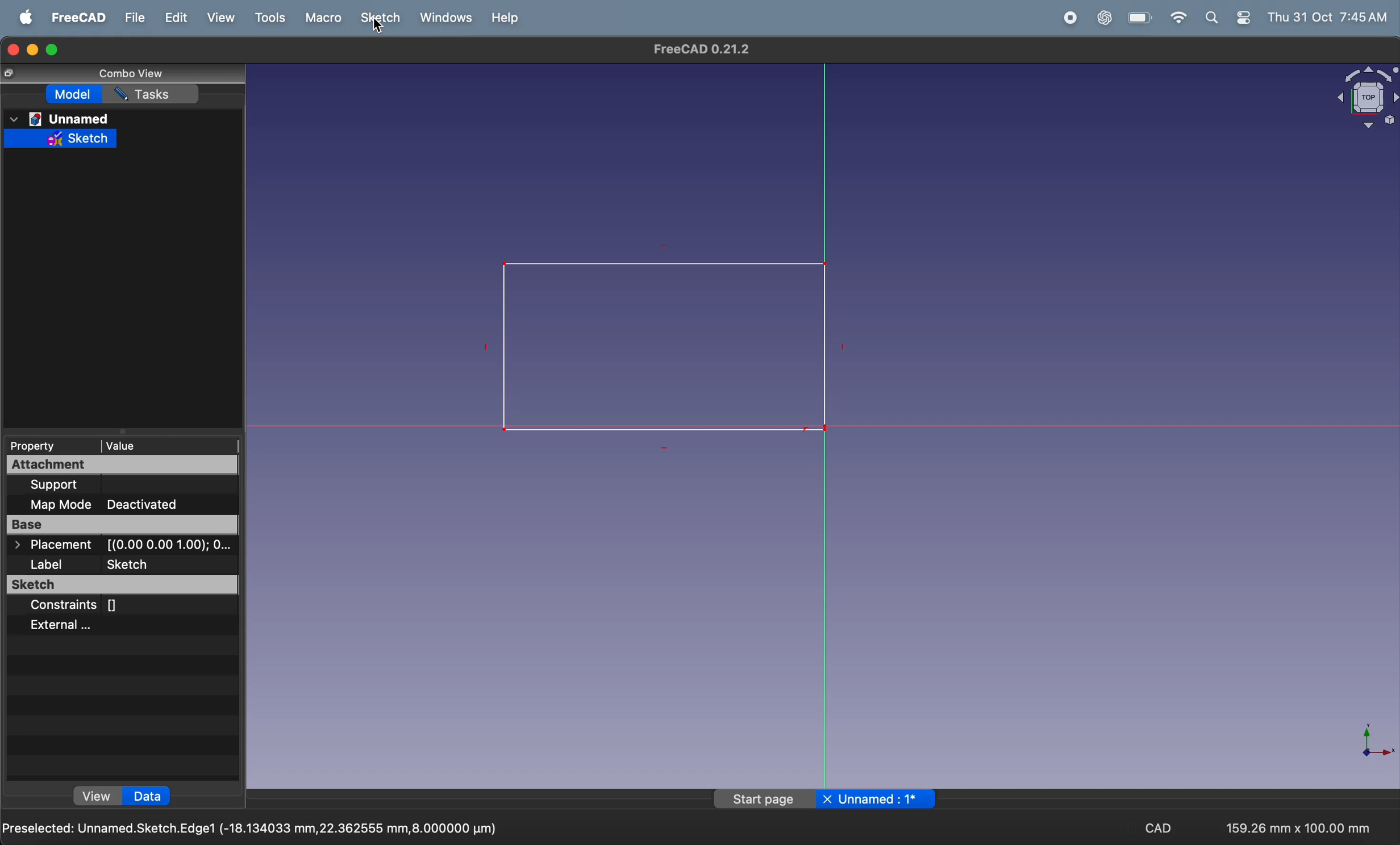 This screenshot has width=1400, height=845. I want to click on task, so click(157, 95).